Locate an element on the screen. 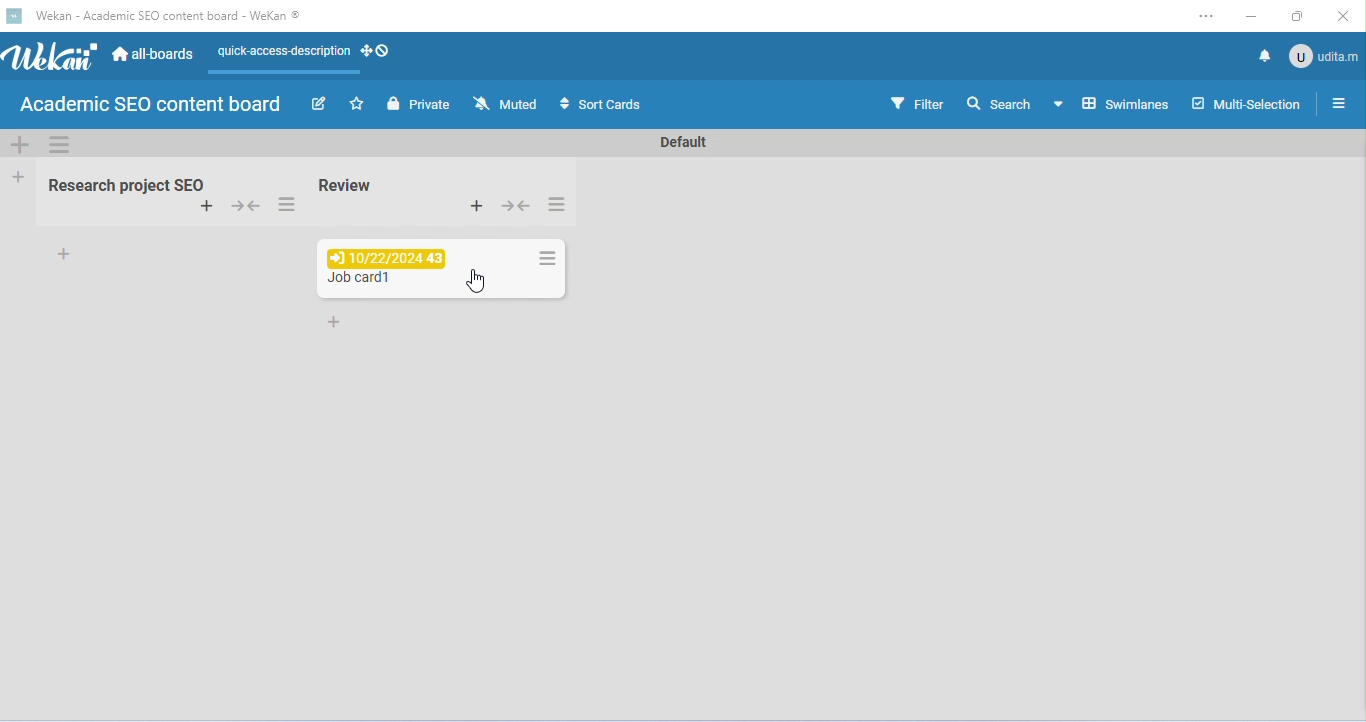  search is located at coordinates (998, 102).